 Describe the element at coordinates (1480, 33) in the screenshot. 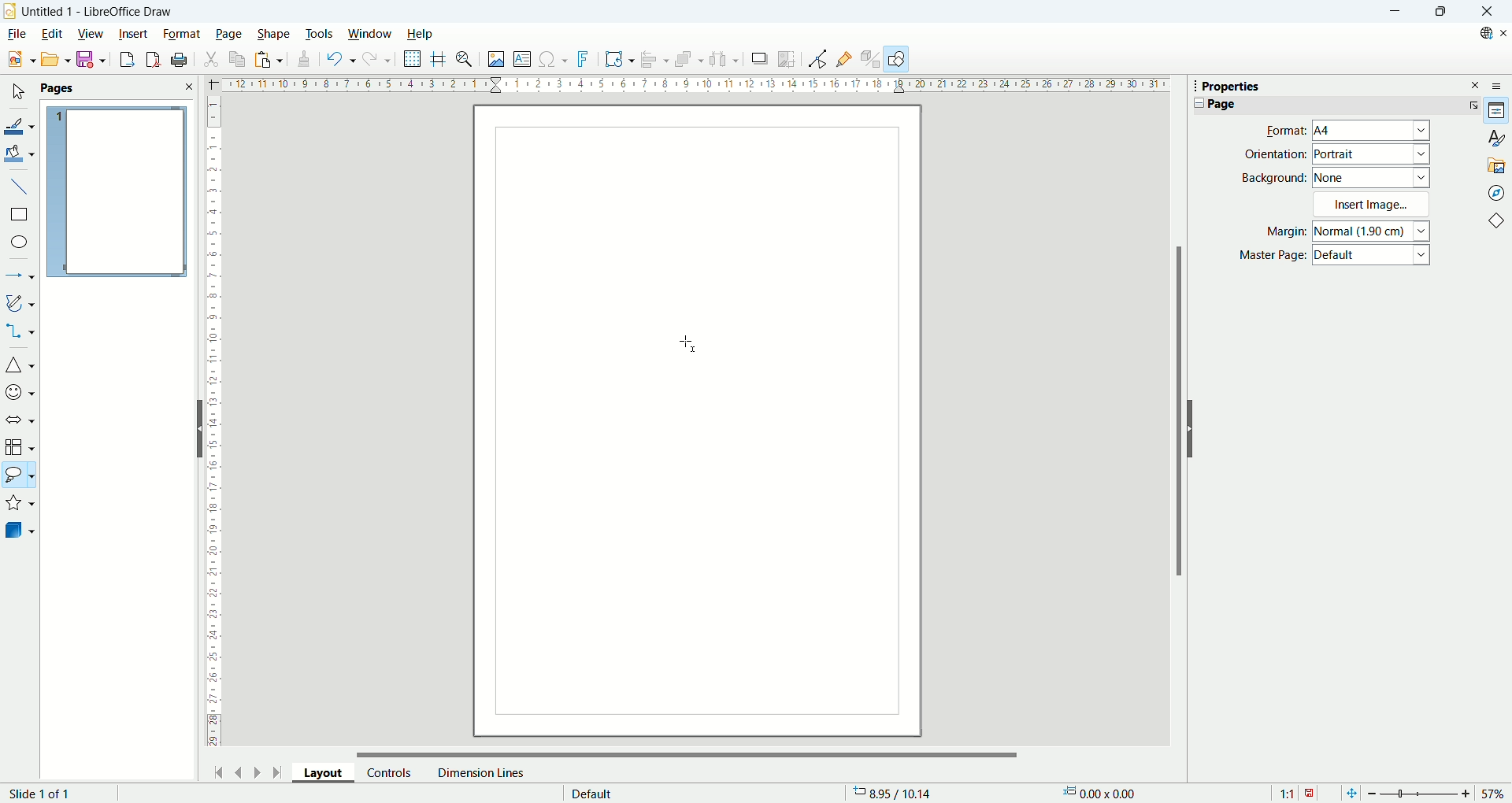

I see `Search on web` at that location.